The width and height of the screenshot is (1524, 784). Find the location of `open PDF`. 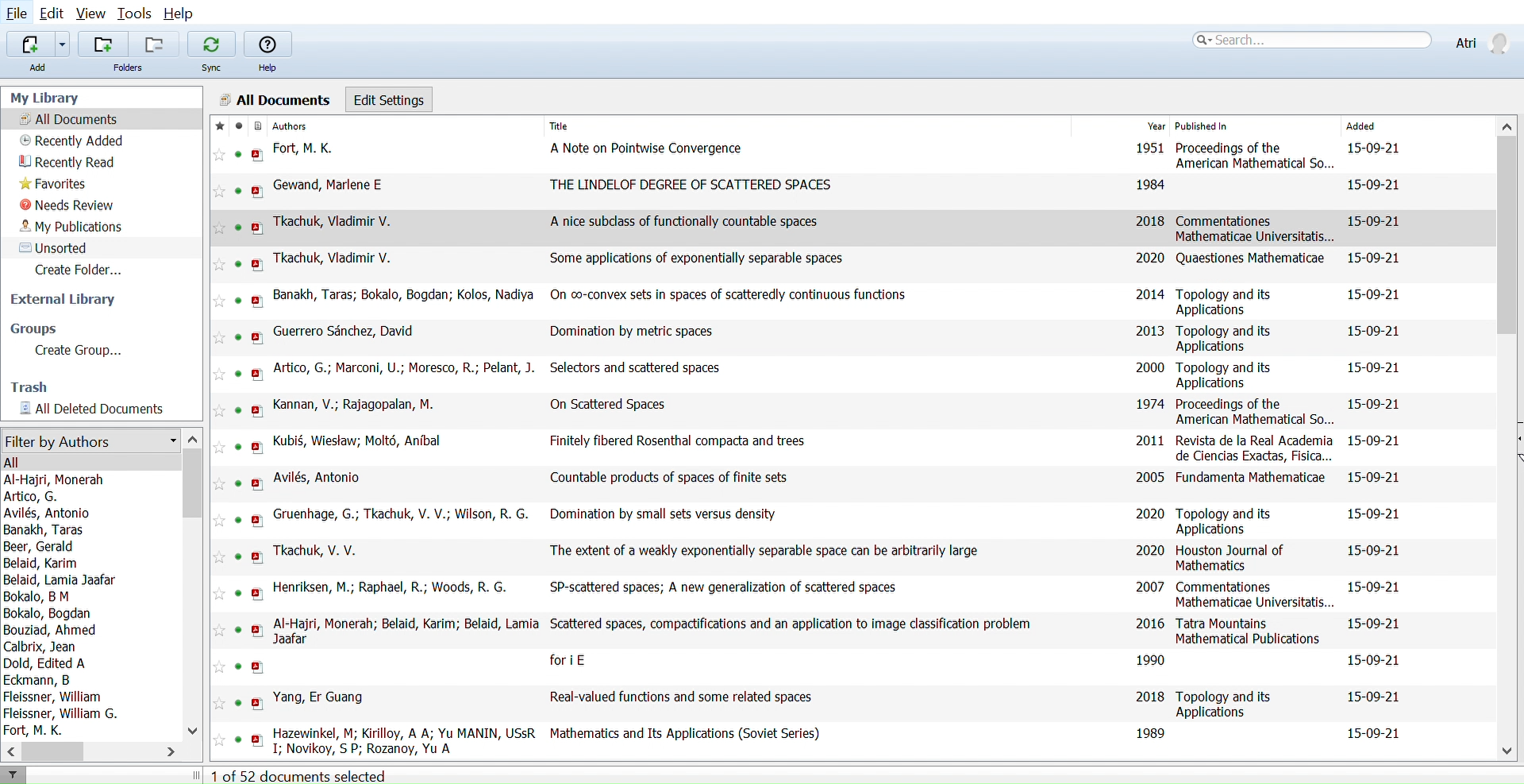

open PDF is located at coordinates (257, 155).